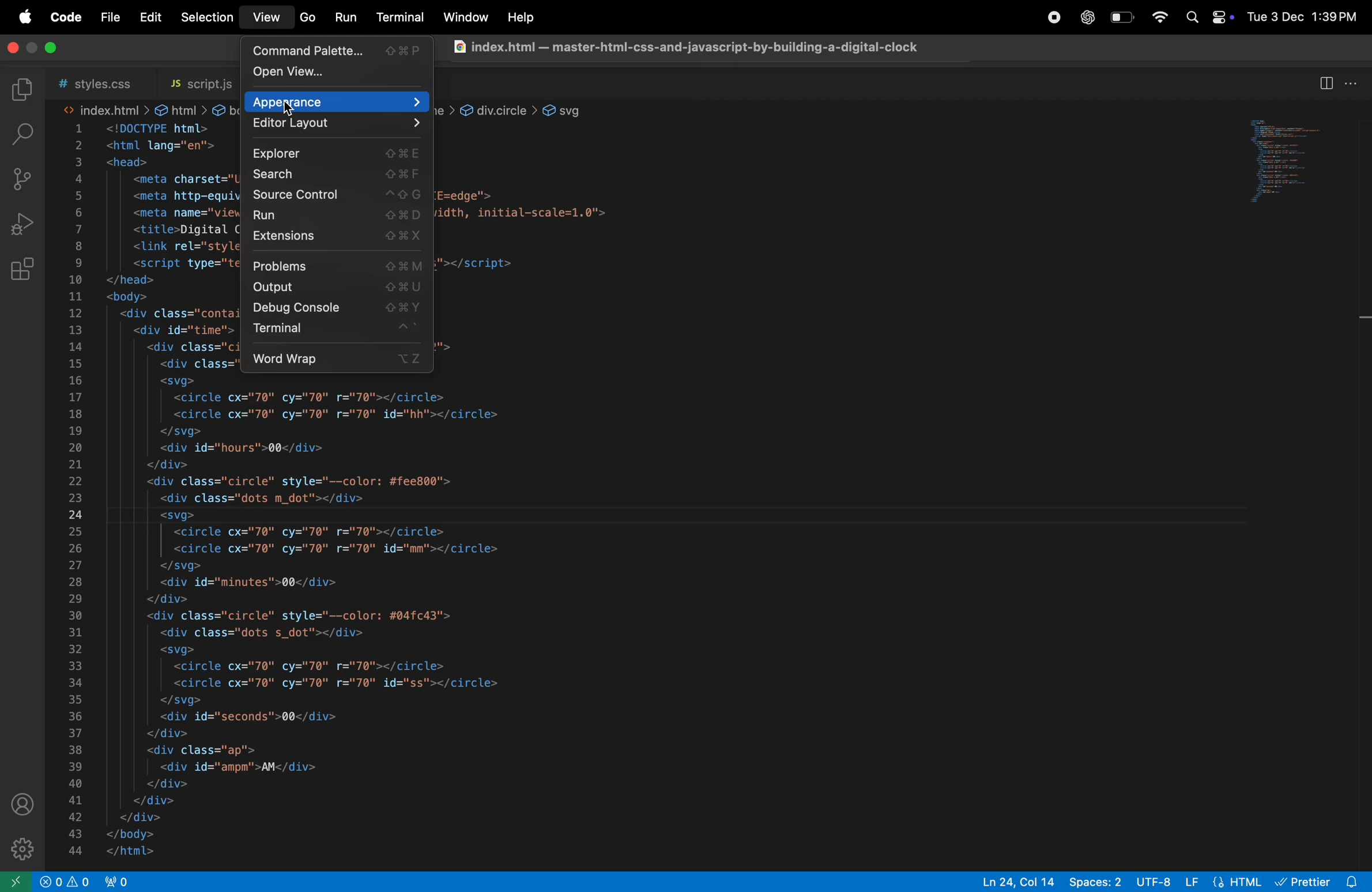 Image resolution: width=1372 pixels, height=892 pixels. What do you see at coordinates (335, 124) in the screenshot?
I see `editor layout` at bounding box center [335, 124].